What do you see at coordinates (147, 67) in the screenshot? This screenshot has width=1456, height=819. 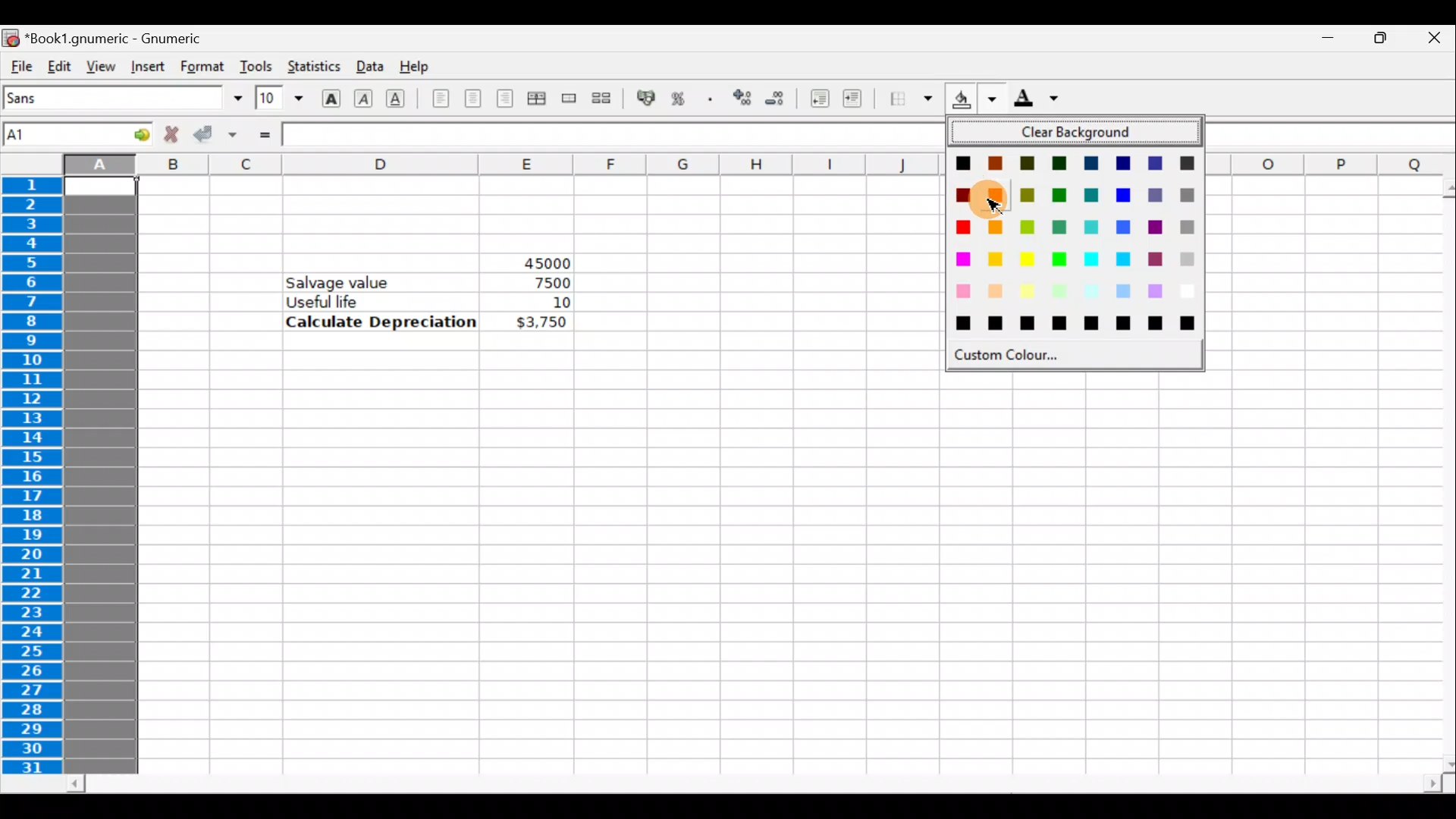 I see `Insert` at bounding box center [147, 67].